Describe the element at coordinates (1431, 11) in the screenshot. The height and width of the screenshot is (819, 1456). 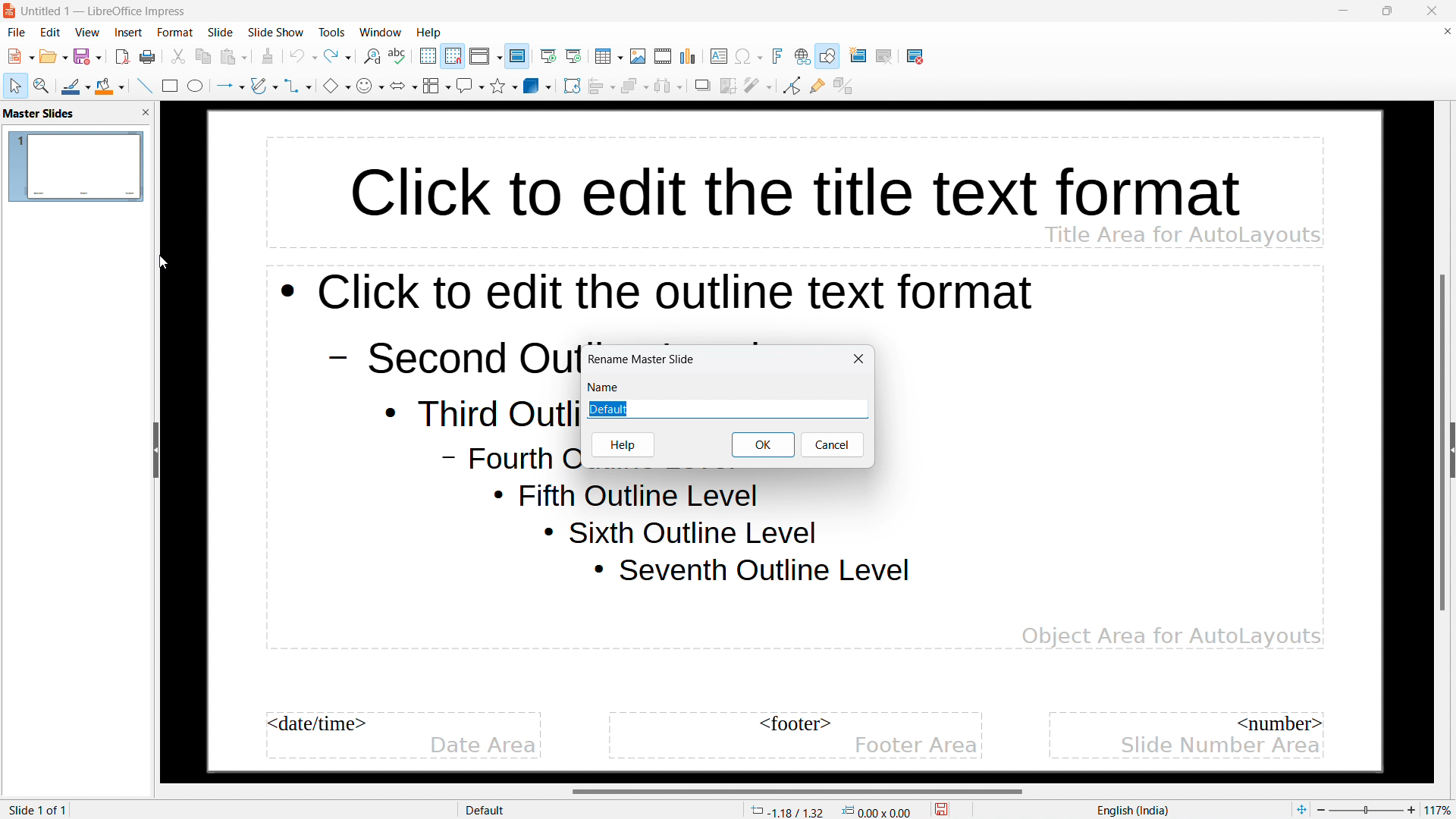
I see `close` at that location.